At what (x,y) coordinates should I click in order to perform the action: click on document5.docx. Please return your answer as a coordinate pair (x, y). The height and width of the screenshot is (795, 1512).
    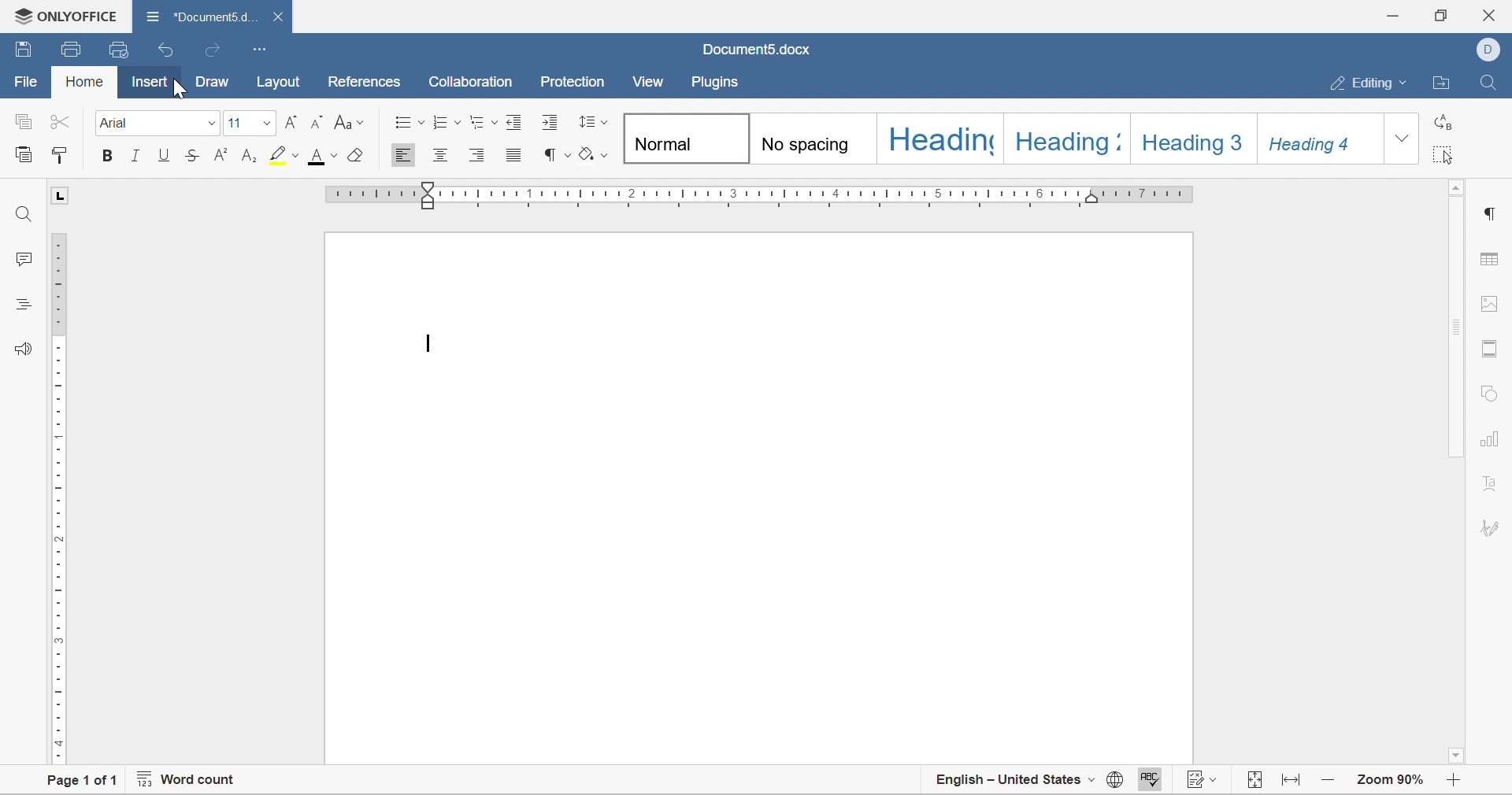
    Looking at the image, I should click on (753, 48).